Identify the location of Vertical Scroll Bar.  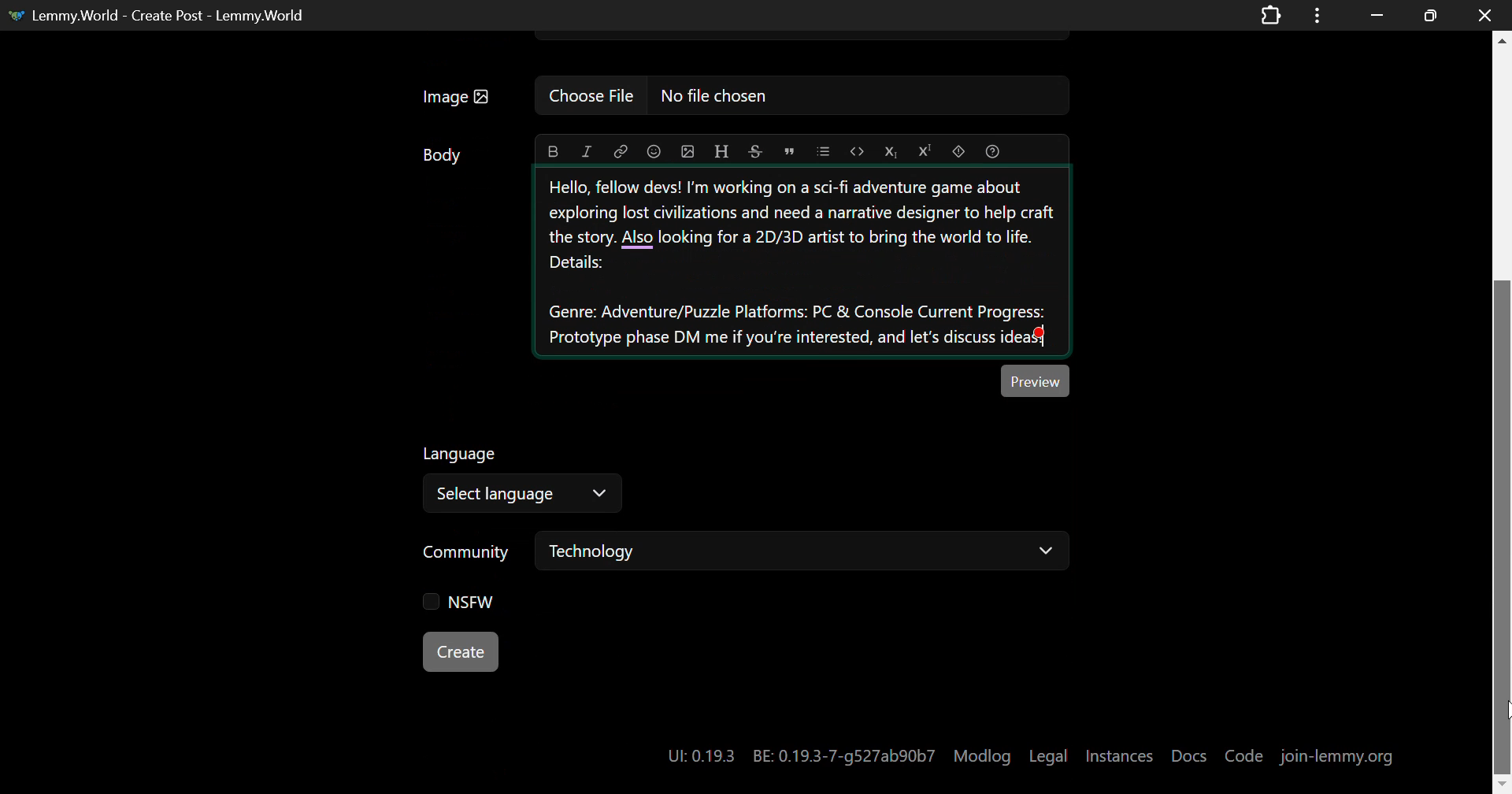
(1503, 412).